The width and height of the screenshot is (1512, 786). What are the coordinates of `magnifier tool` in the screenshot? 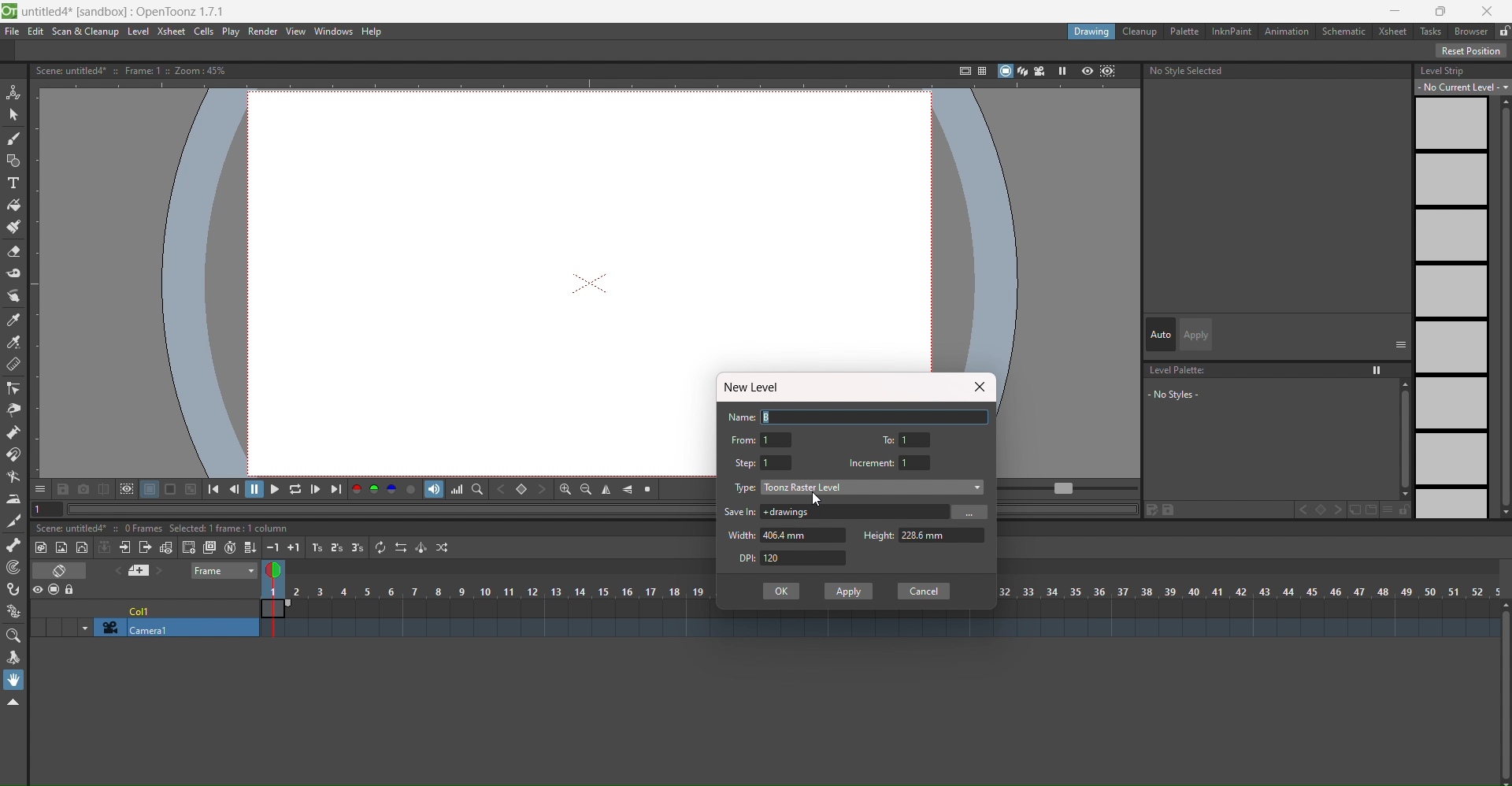 It's located at (13, 637).